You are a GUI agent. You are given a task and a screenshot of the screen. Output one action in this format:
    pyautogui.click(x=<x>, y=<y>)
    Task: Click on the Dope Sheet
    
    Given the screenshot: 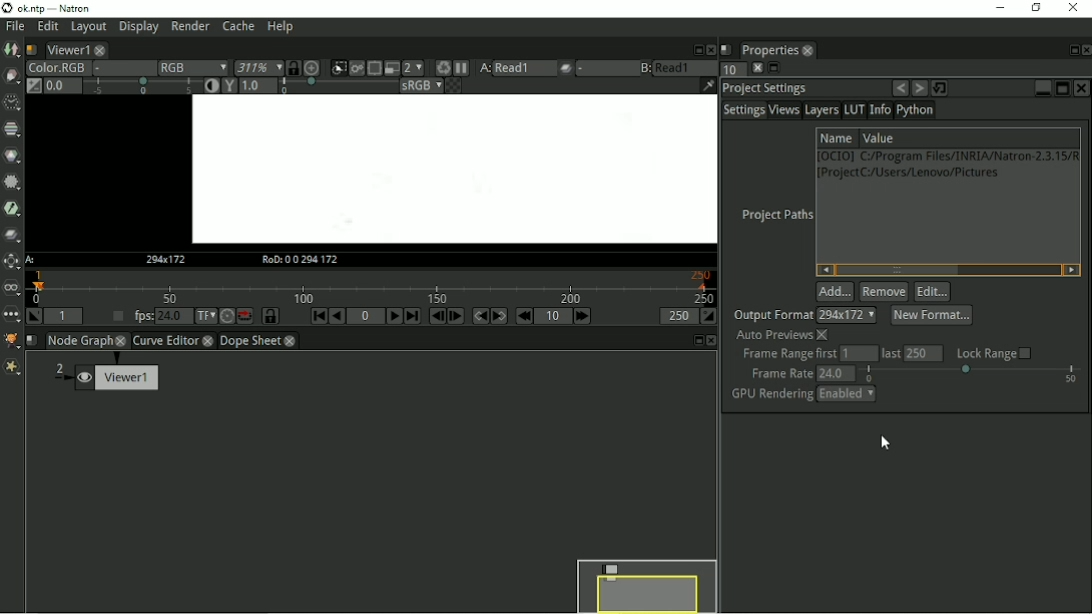 What is the action you would take?
    pyautogui.click(x=250, y=340)
    